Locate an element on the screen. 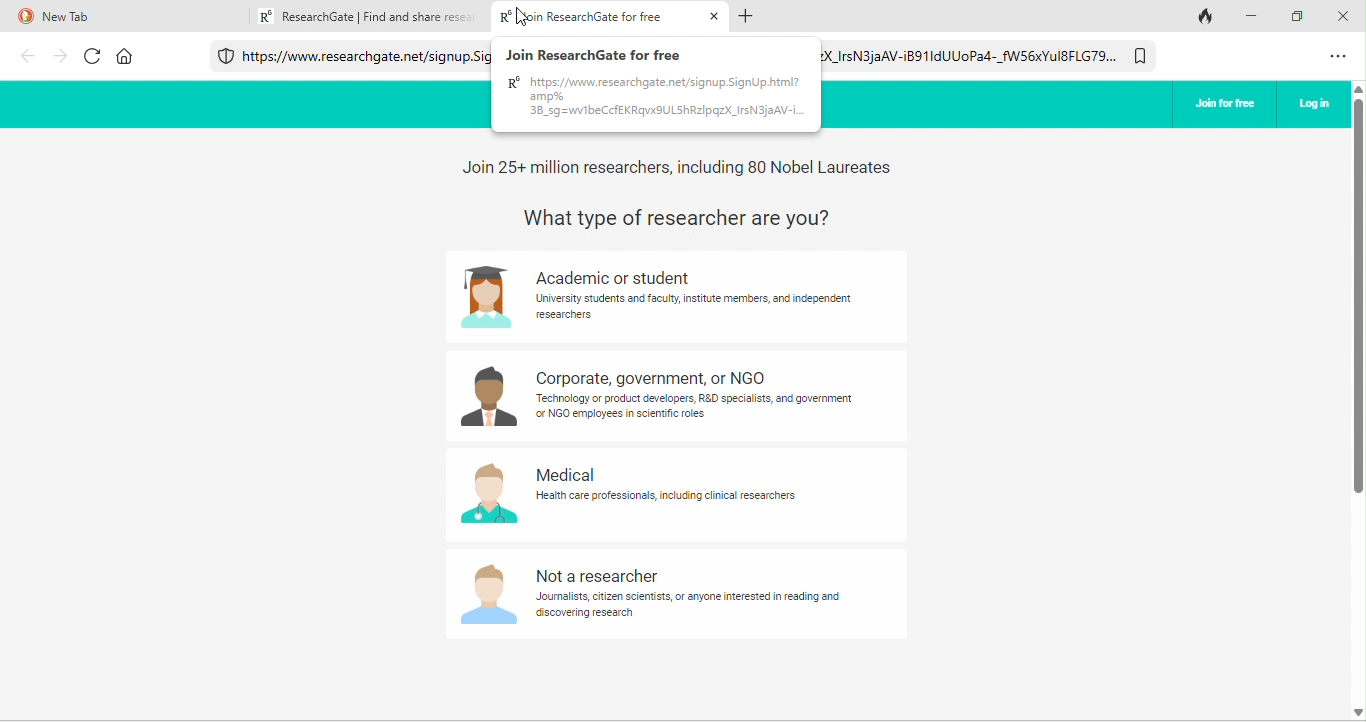  Medical
Health care professionals, including clinical researchers is located at coordinates (666, 484).